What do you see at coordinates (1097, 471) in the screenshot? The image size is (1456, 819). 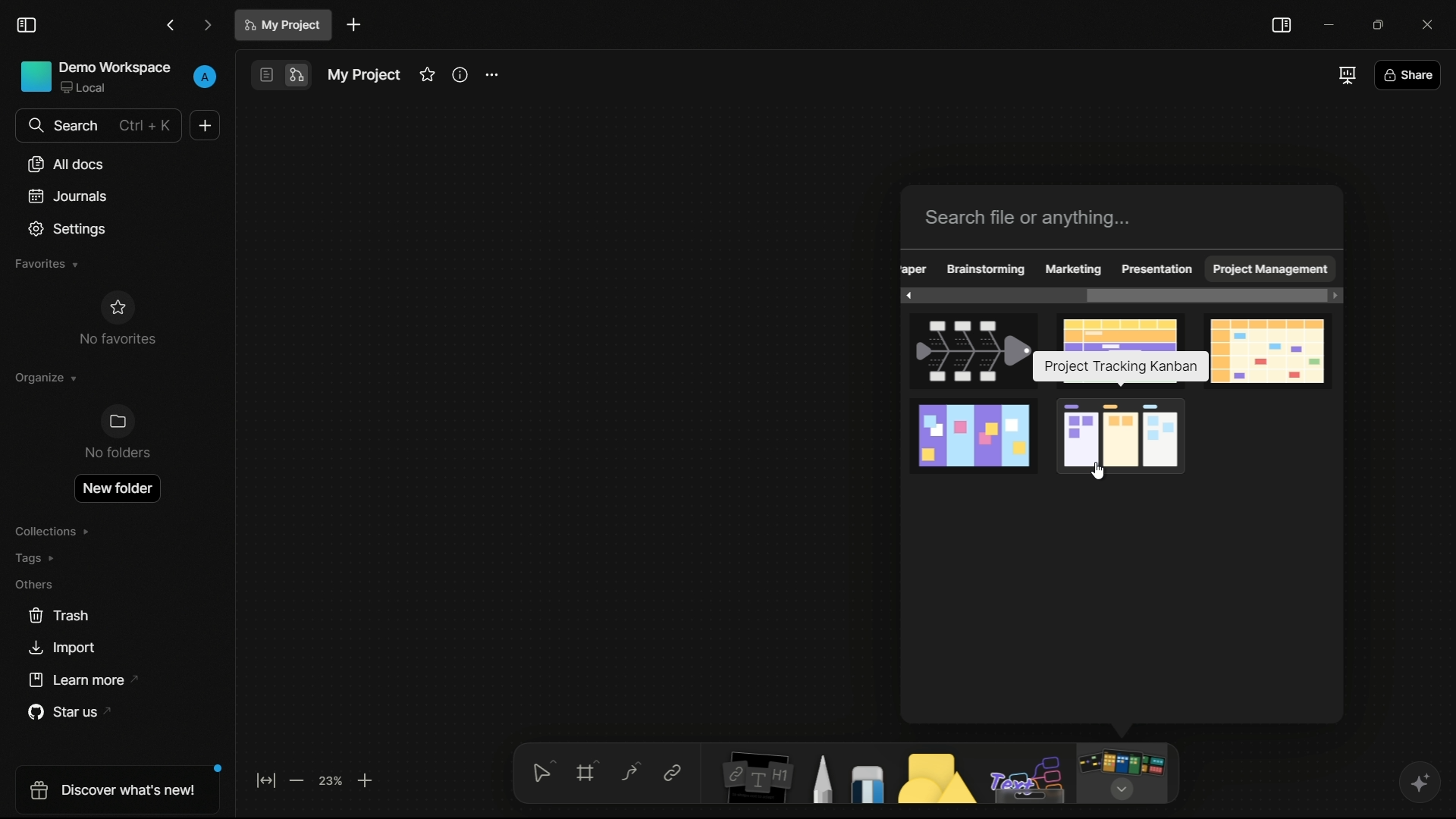 I see `cursor` at bounding box center [1097, 471].